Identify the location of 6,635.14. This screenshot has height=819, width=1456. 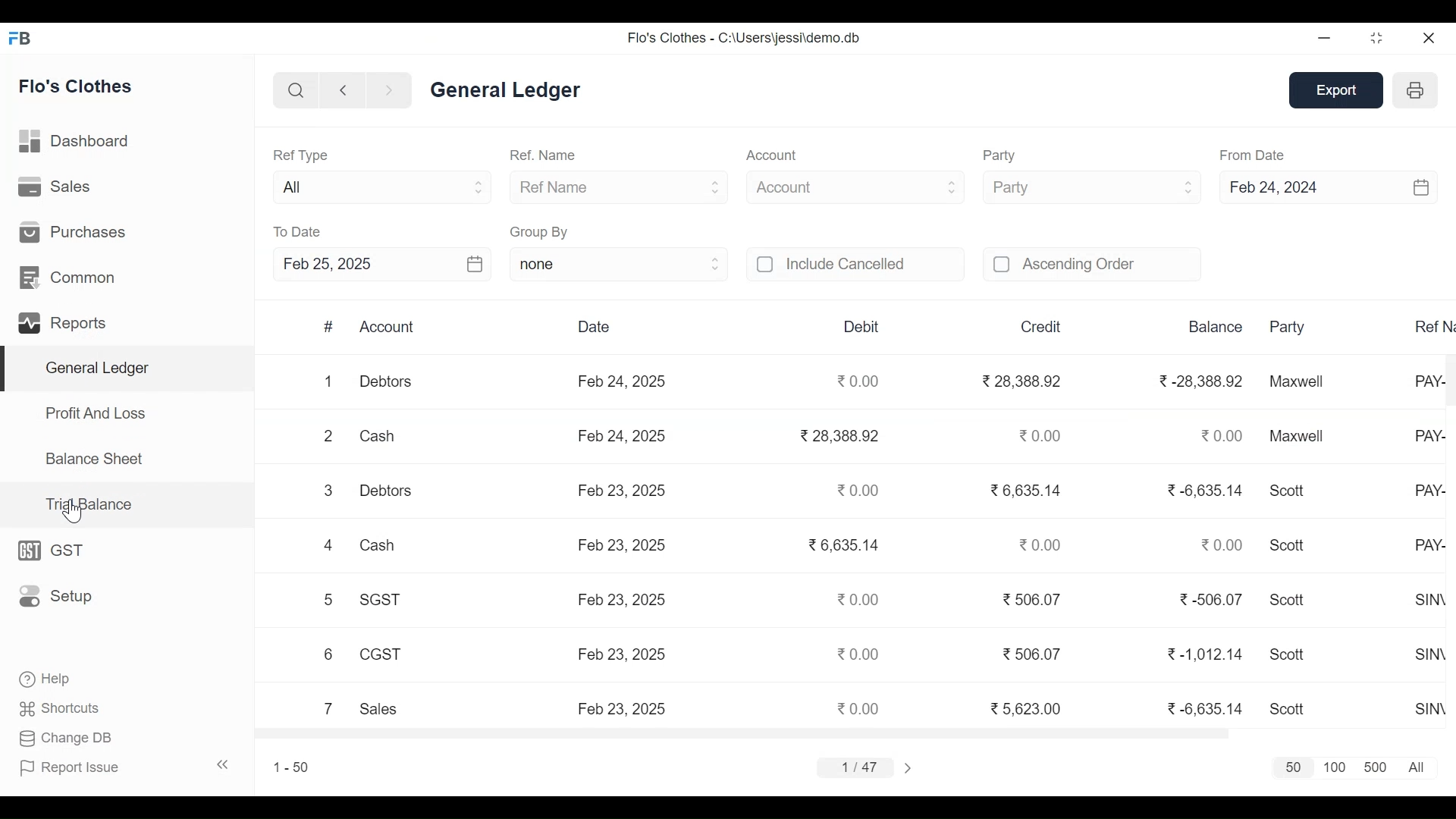
(843, 543).